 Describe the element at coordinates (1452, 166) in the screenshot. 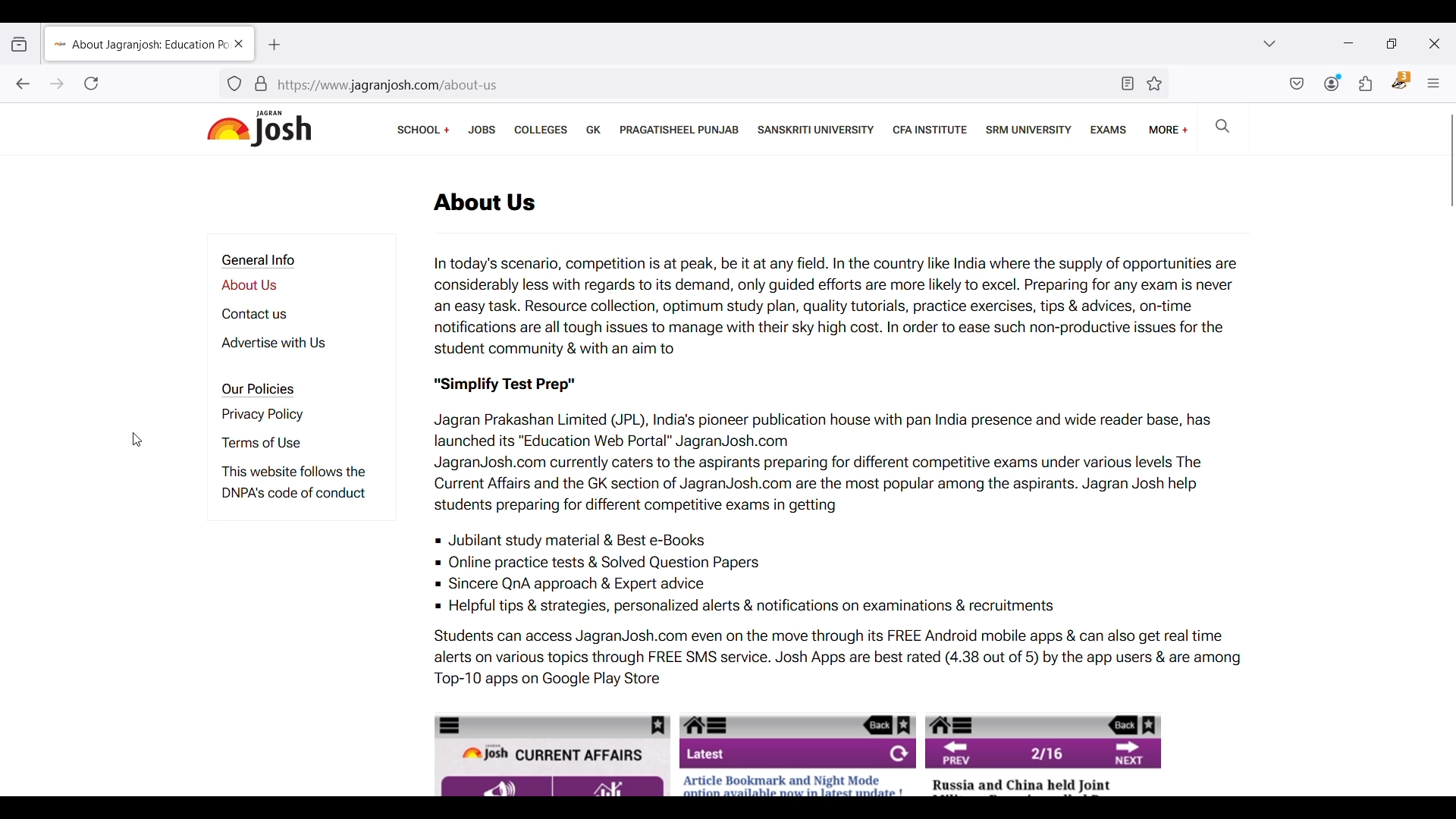

I see `Vertical slide bar` at that location.